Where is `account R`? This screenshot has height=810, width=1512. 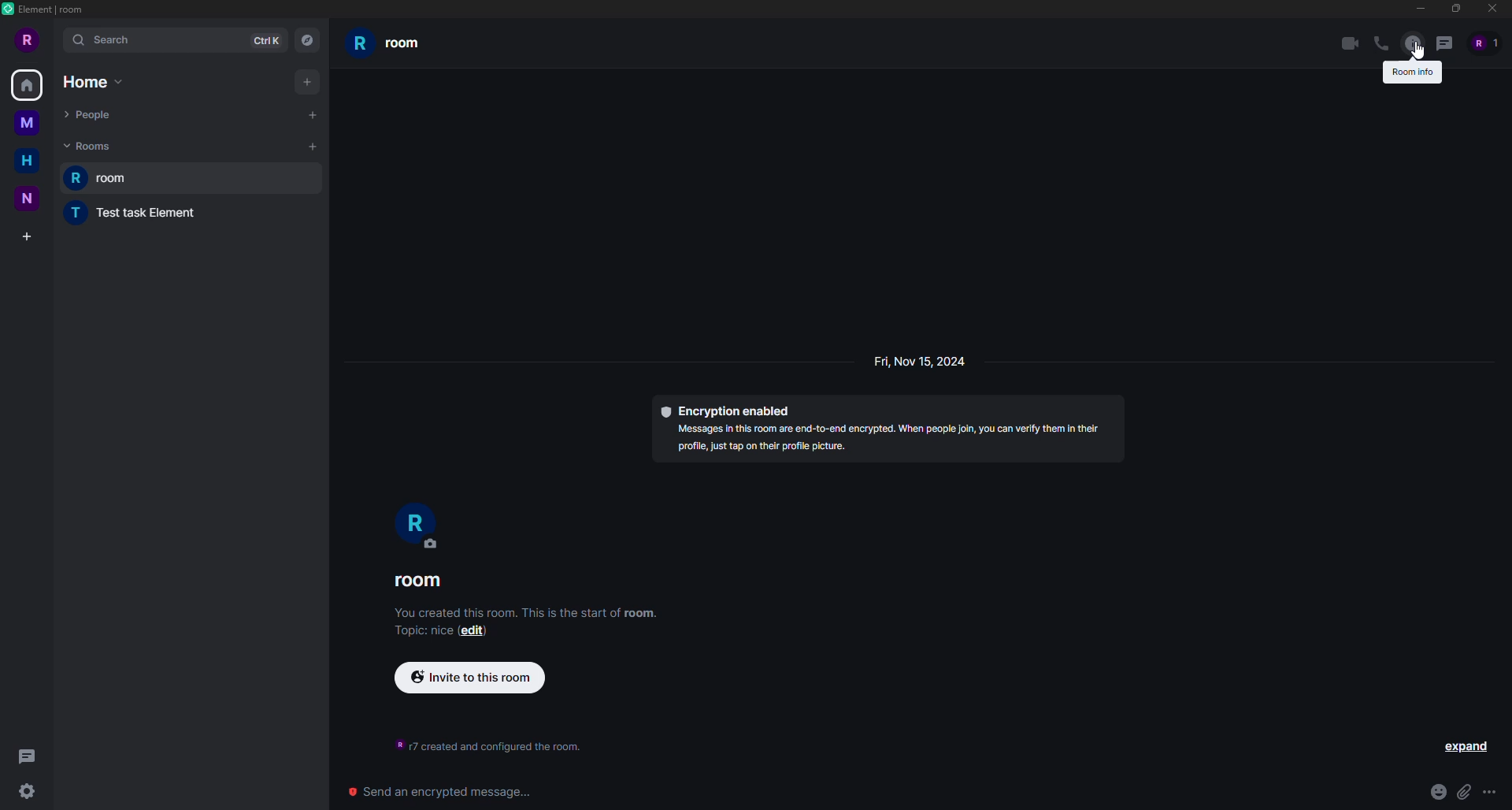 account R is located at coordinates (1488, 42).